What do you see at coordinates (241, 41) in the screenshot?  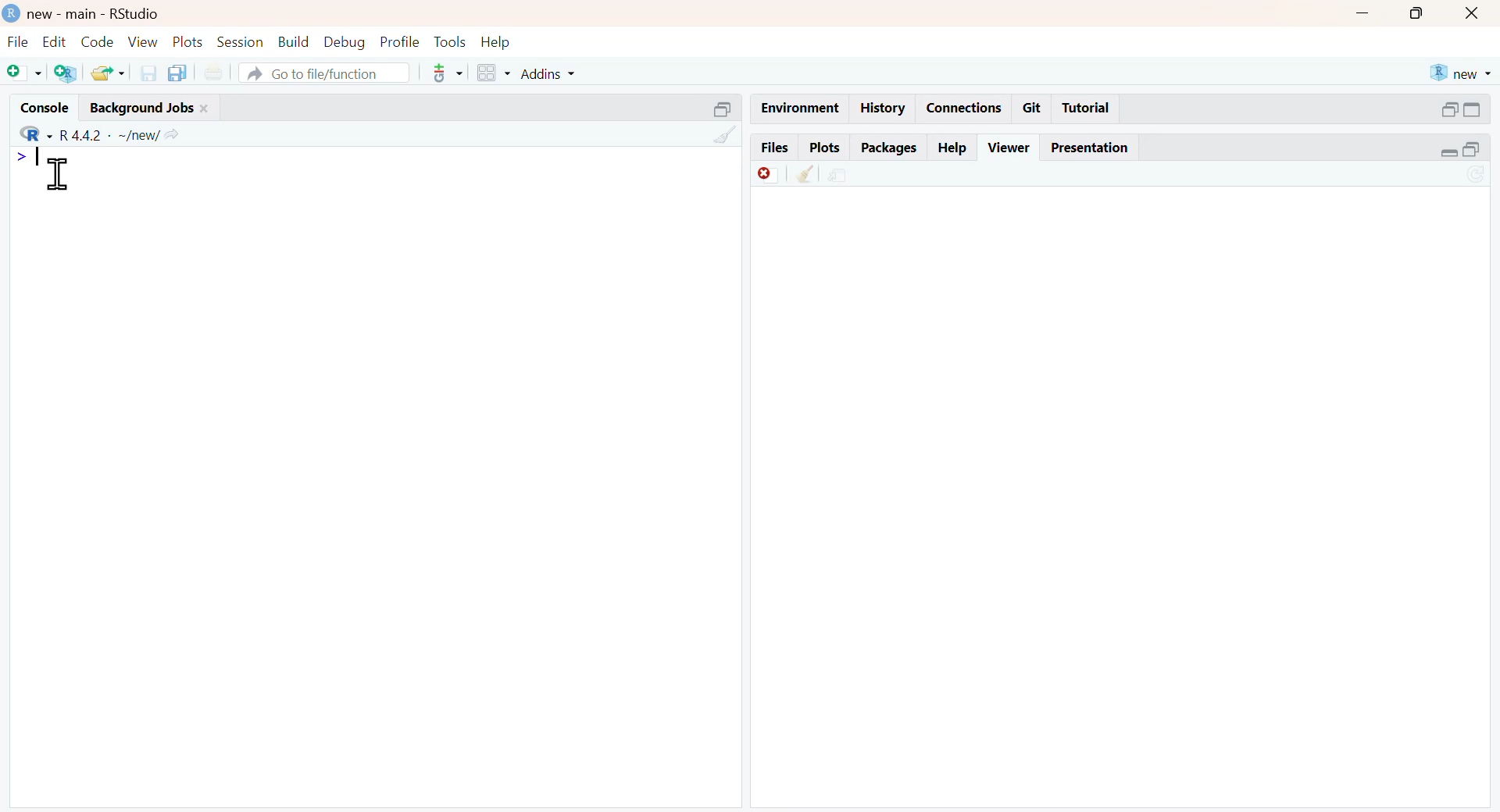 I see `session` at bounding box center [241, 41].